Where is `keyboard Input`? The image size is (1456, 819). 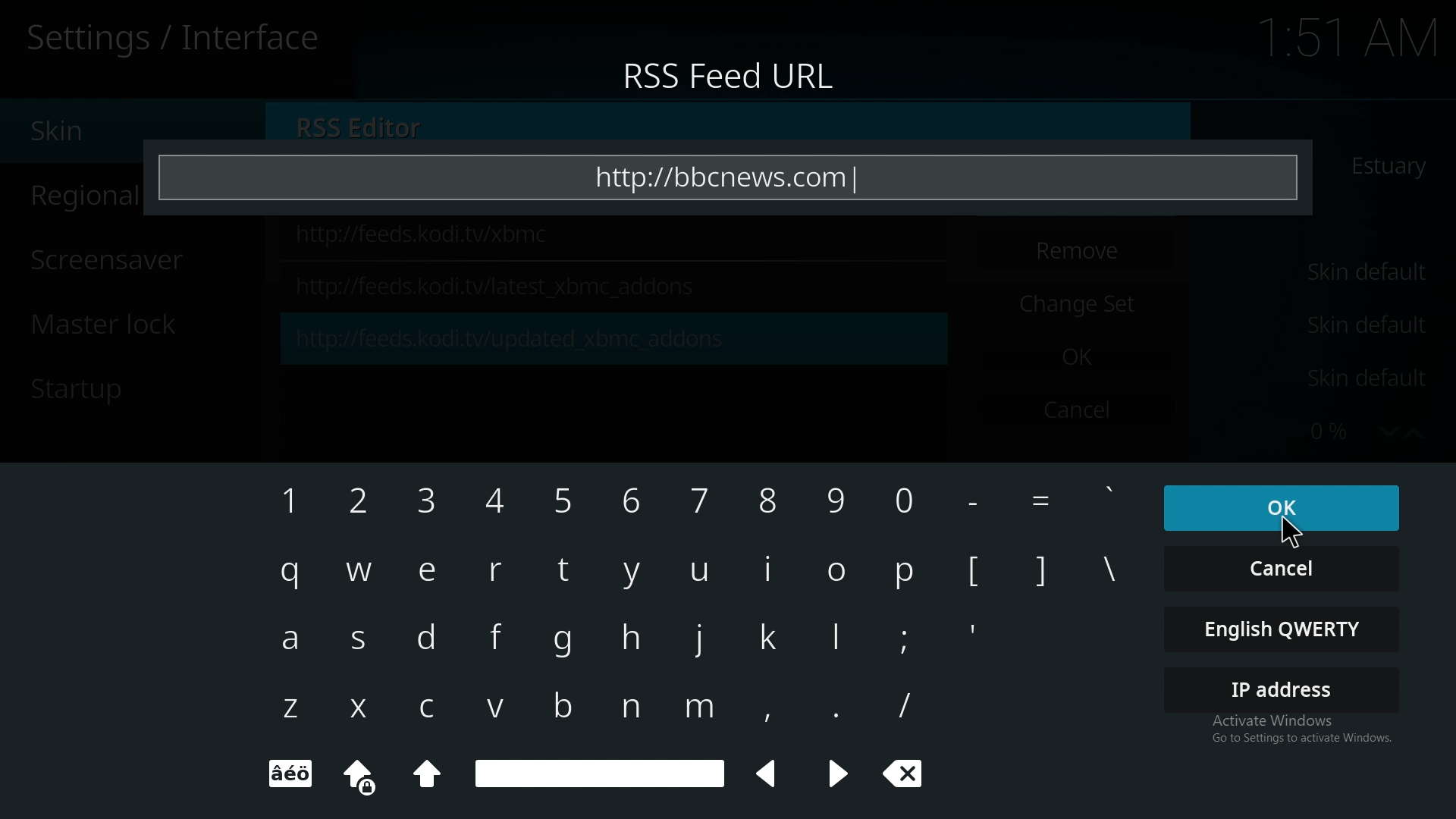
keyboard Input is located at coordinates (632, 638).